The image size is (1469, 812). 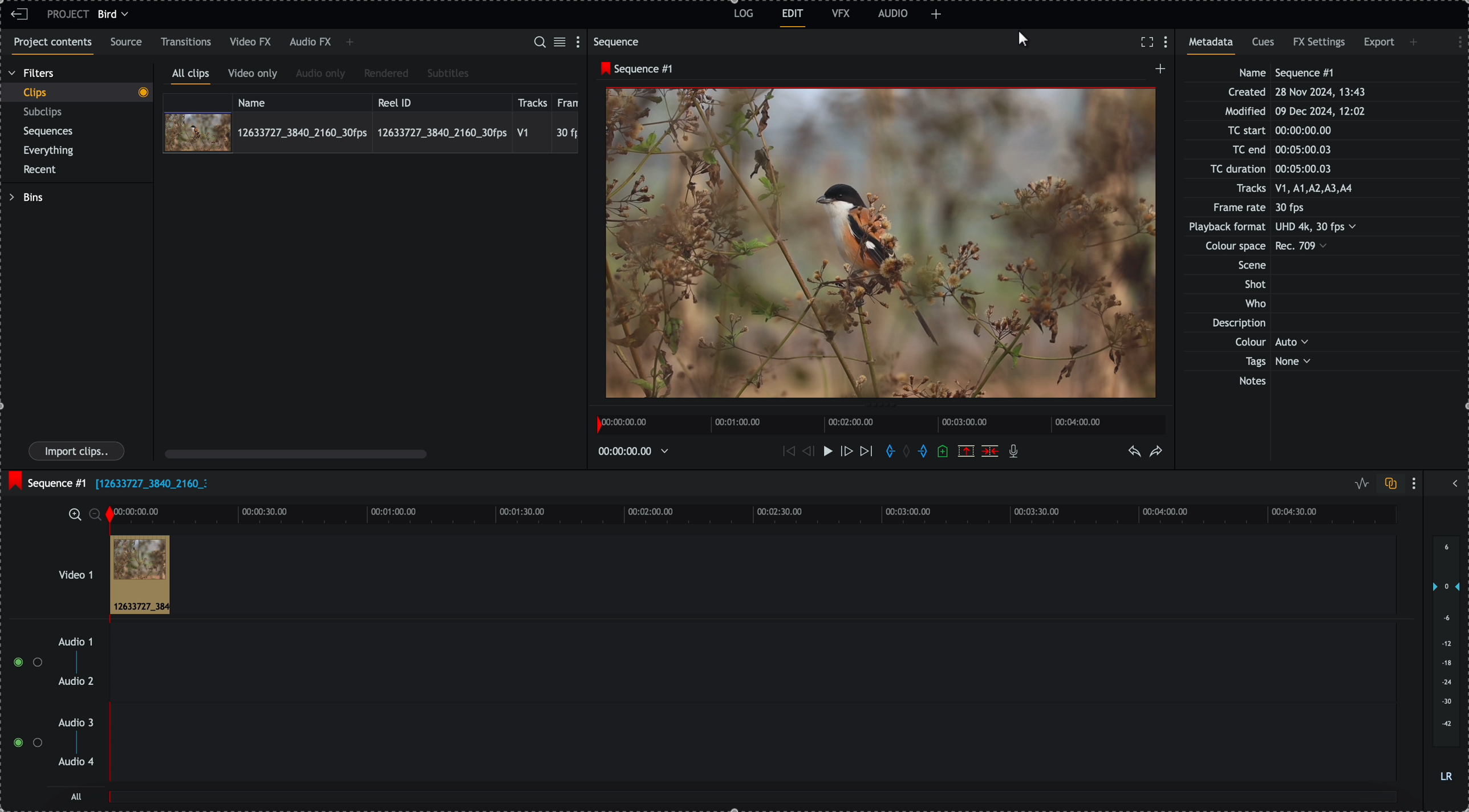 I want to click on log, so click(x=742, y=15).